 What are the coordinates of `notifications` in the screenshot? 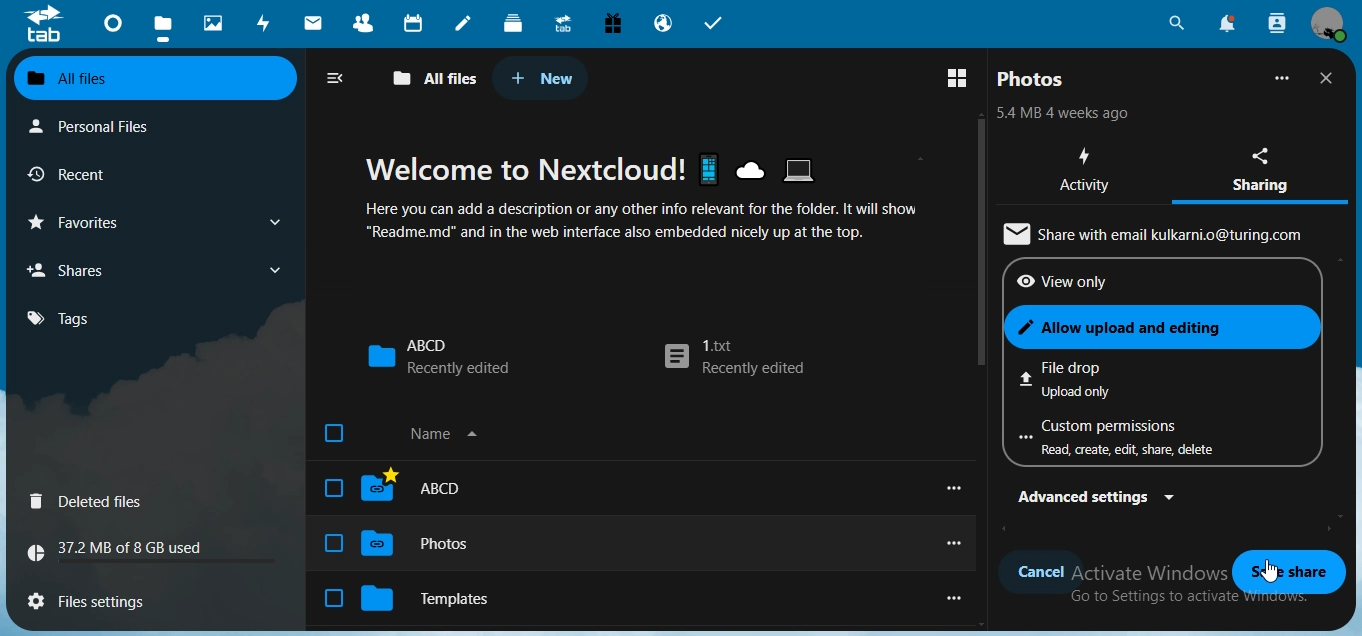 It's located at (1225, 23).